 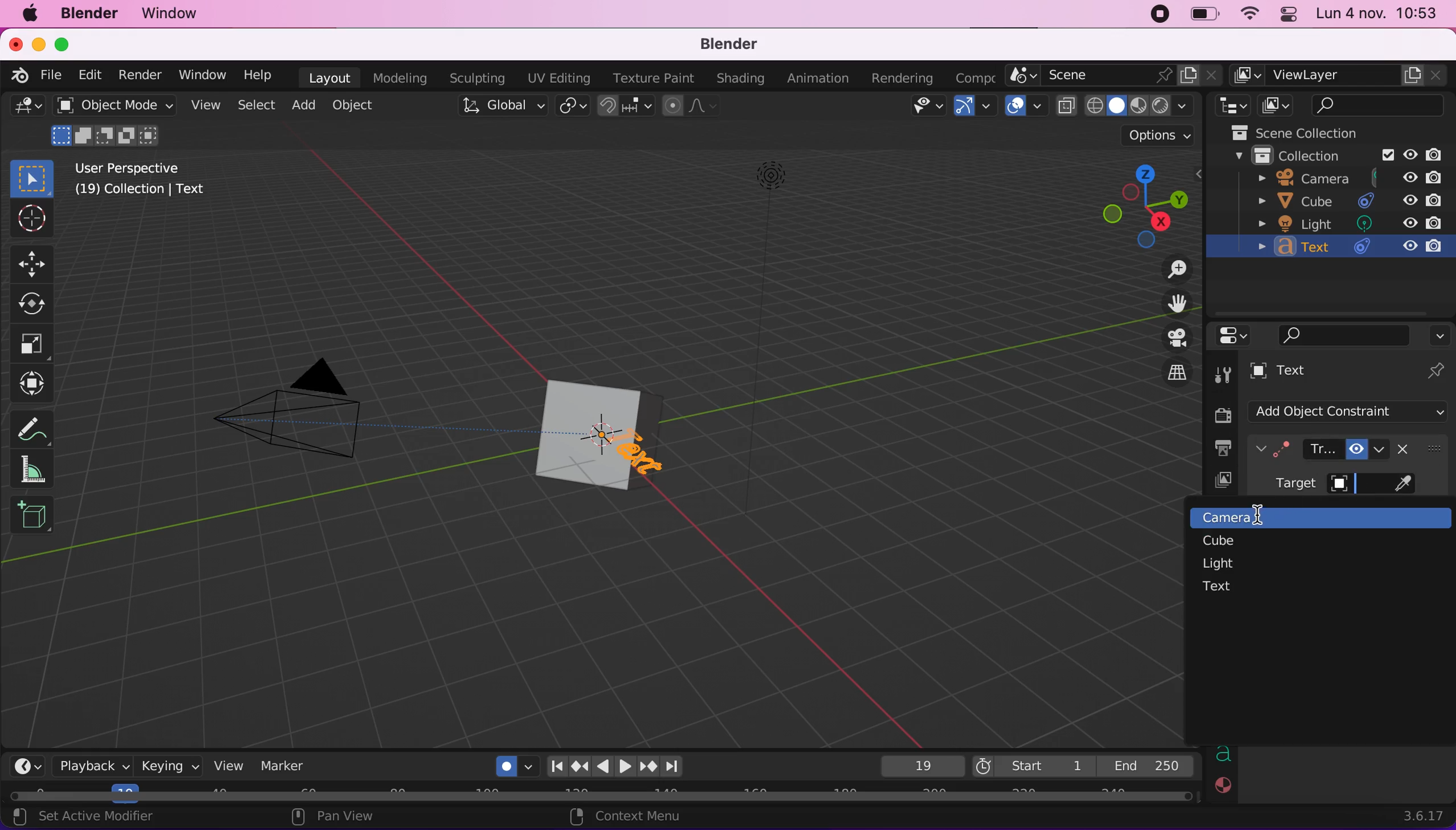 I want to click on cursor, so click(x=29, y=218).